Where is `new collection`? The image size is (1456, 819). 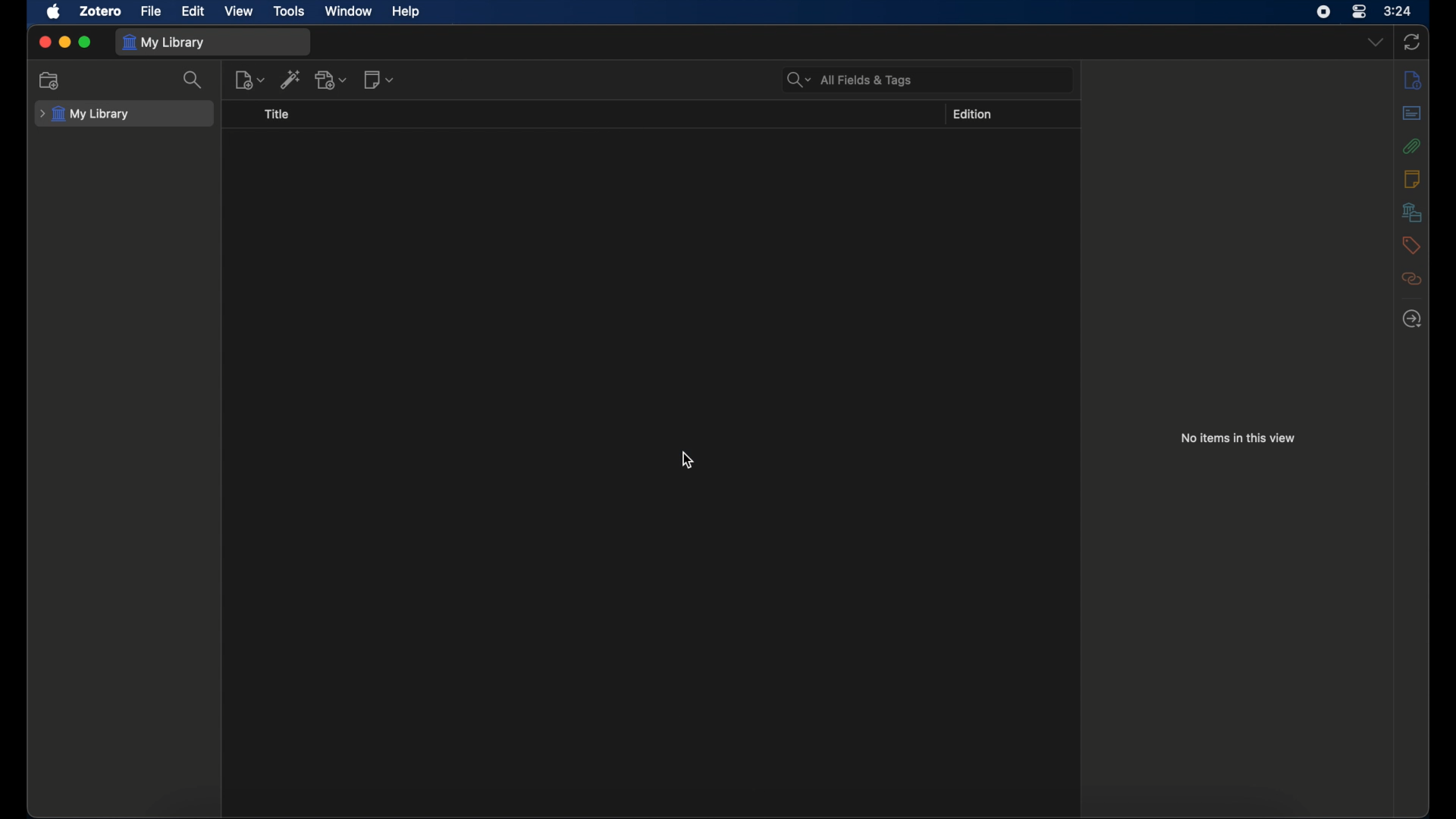
new collection is located at coordinates (51, 81).